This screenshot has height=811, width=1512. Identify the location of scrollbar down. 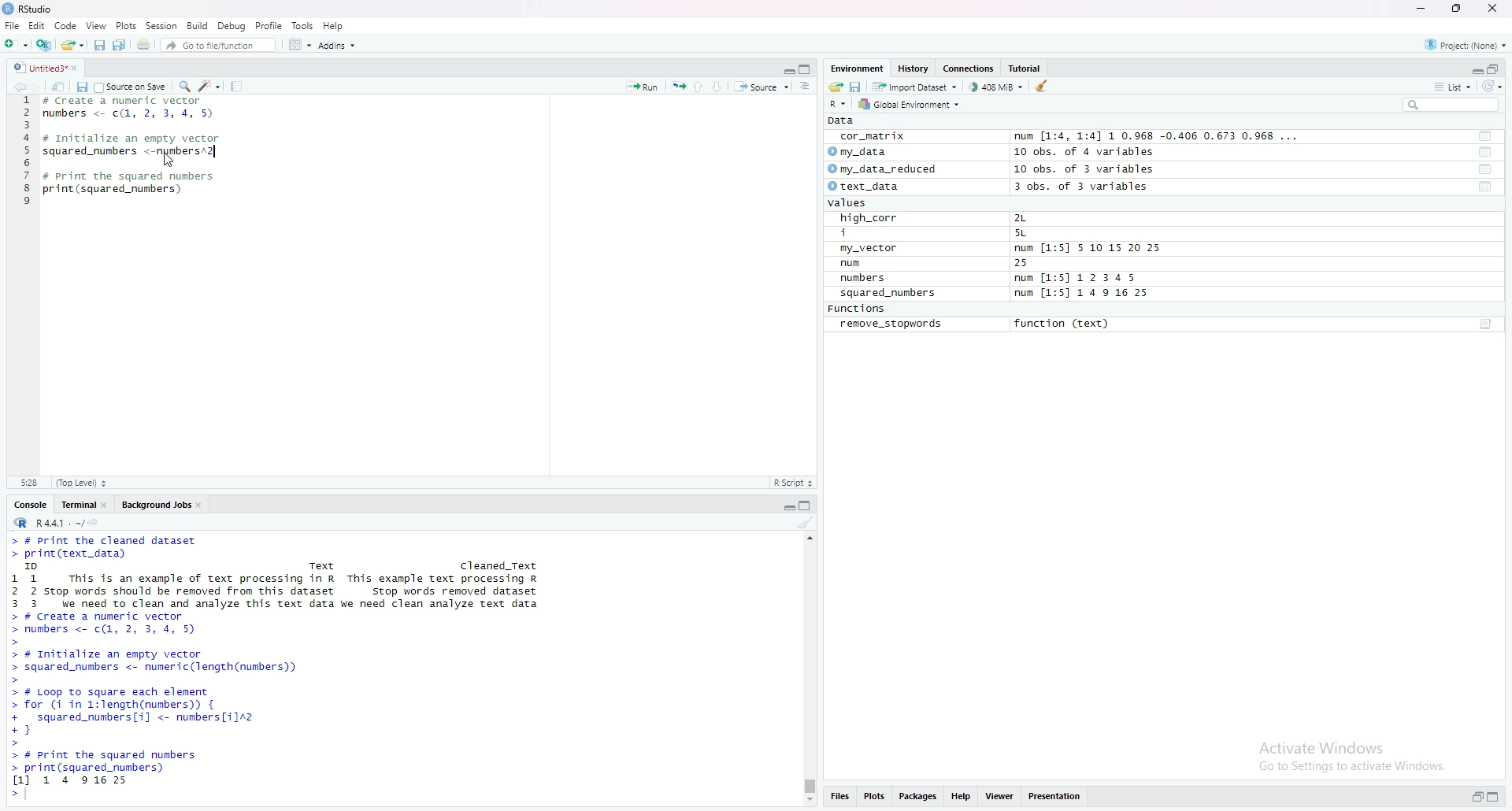
(808, 802).